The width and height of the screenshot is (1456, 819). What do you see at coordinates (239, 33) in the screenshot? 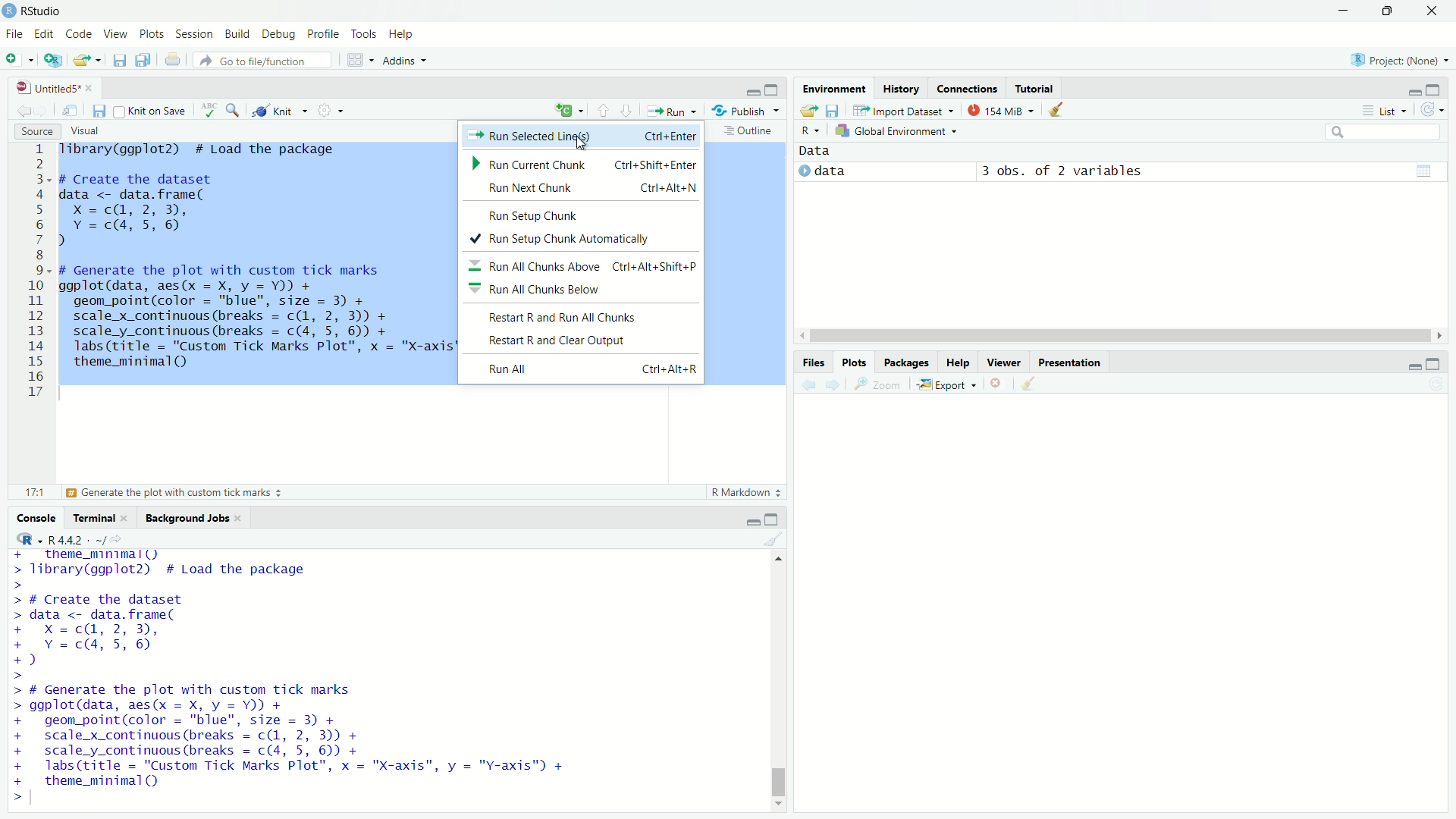
I see `build` at bounding box center [239, 33].